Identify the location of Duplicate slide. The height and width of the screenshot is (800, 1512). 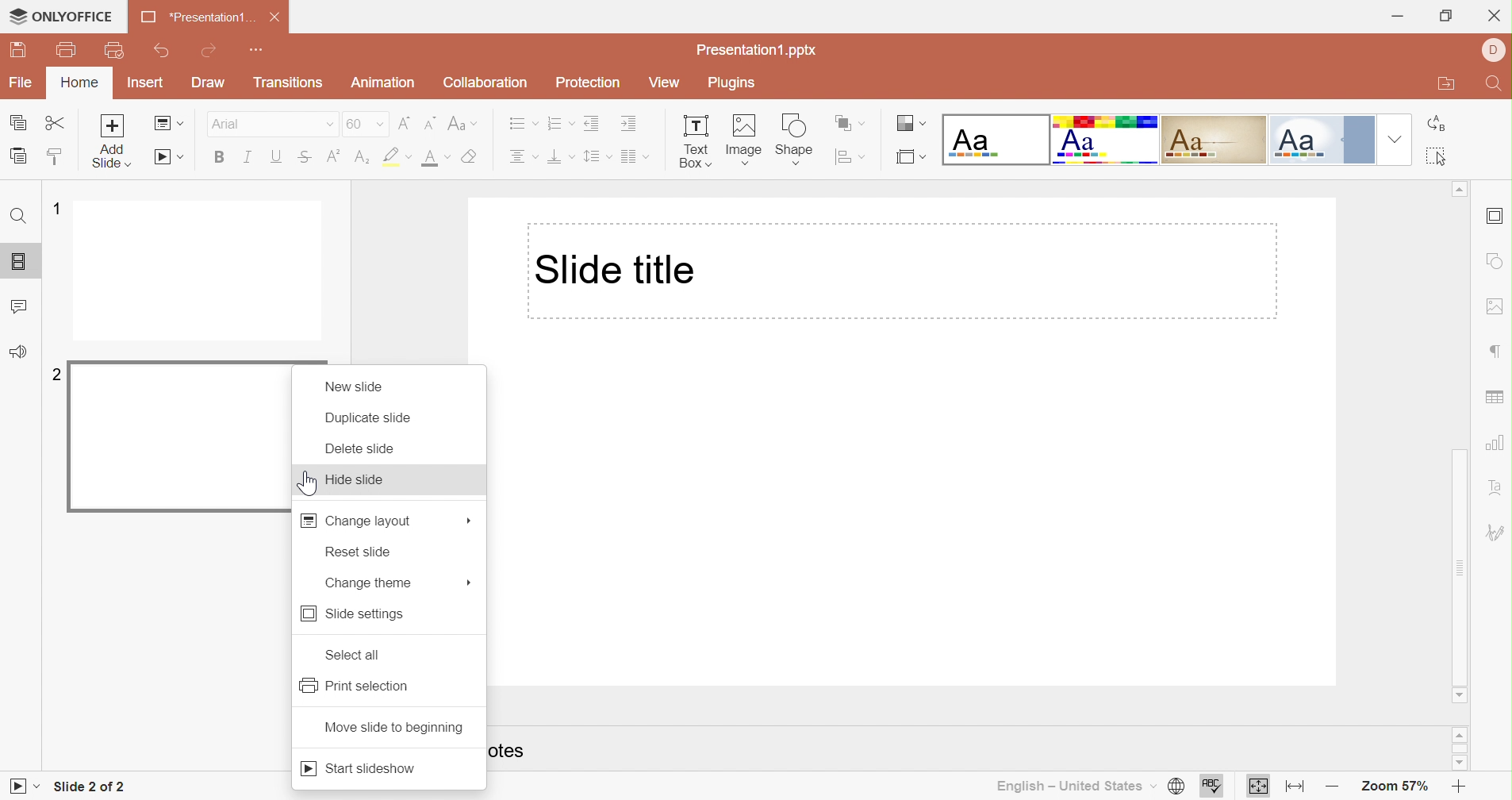
(363, 421).